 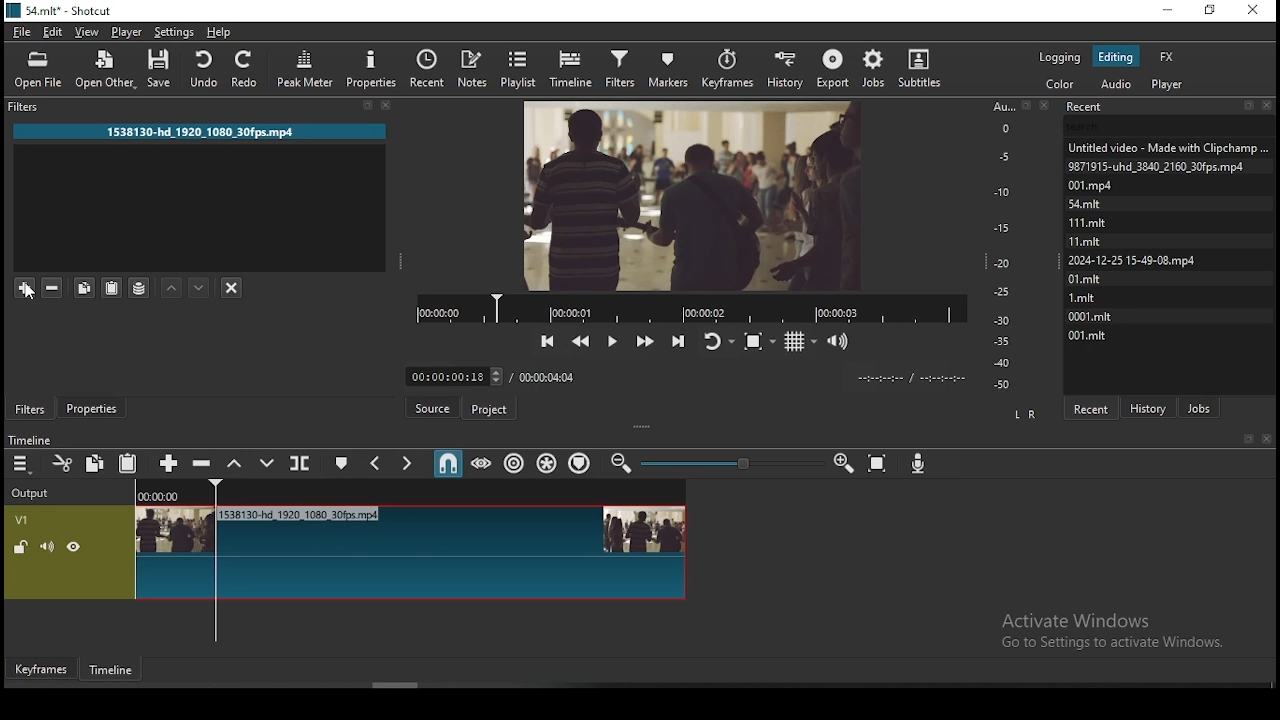 What do you see at coordinates (1083, 240) in the screenshot?
I see `11.mit` at bounding box center [1083, 240].